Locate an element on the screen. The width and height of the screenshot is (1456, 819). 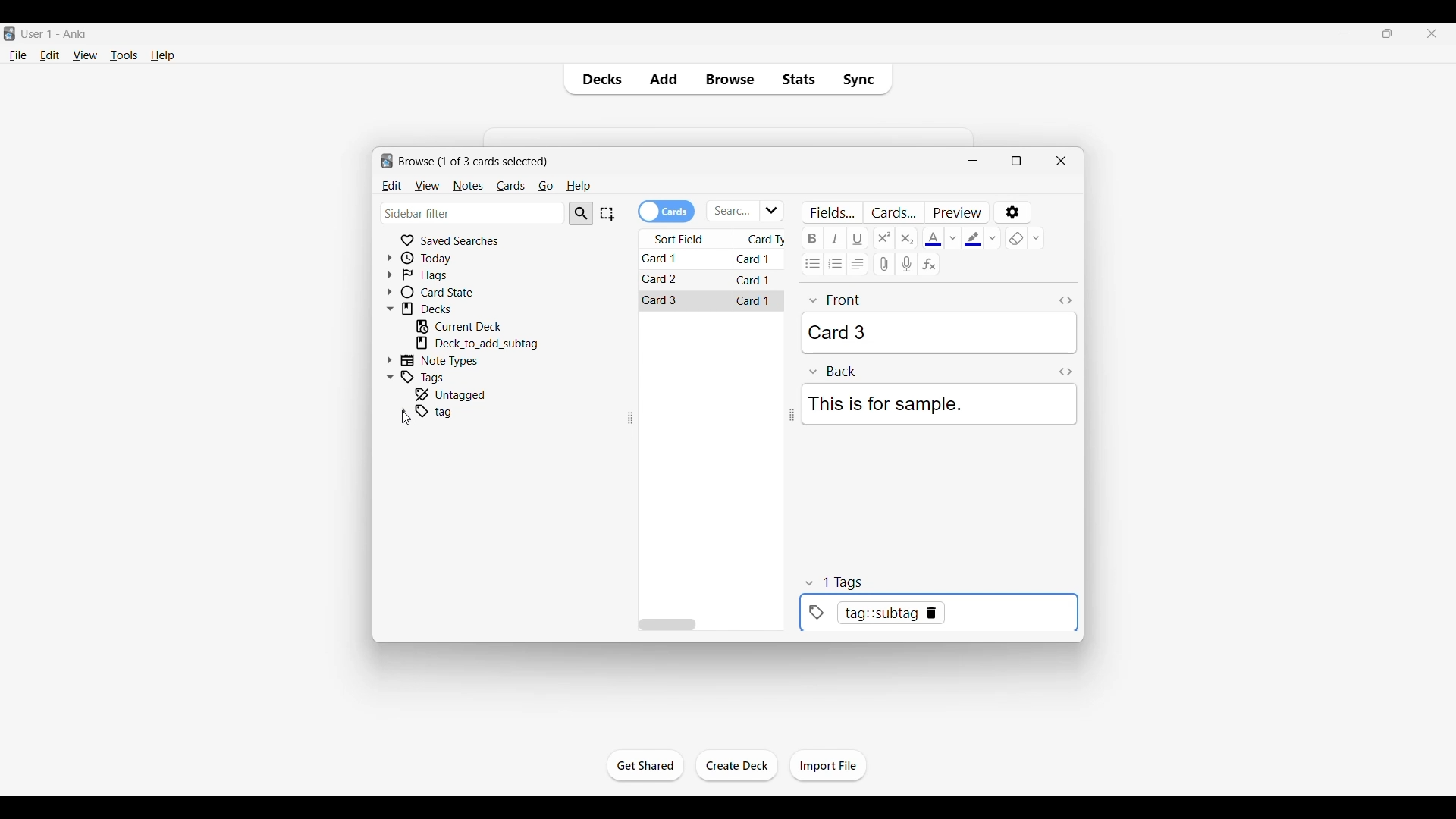
Unordered list is located at coordinates (812, 264).